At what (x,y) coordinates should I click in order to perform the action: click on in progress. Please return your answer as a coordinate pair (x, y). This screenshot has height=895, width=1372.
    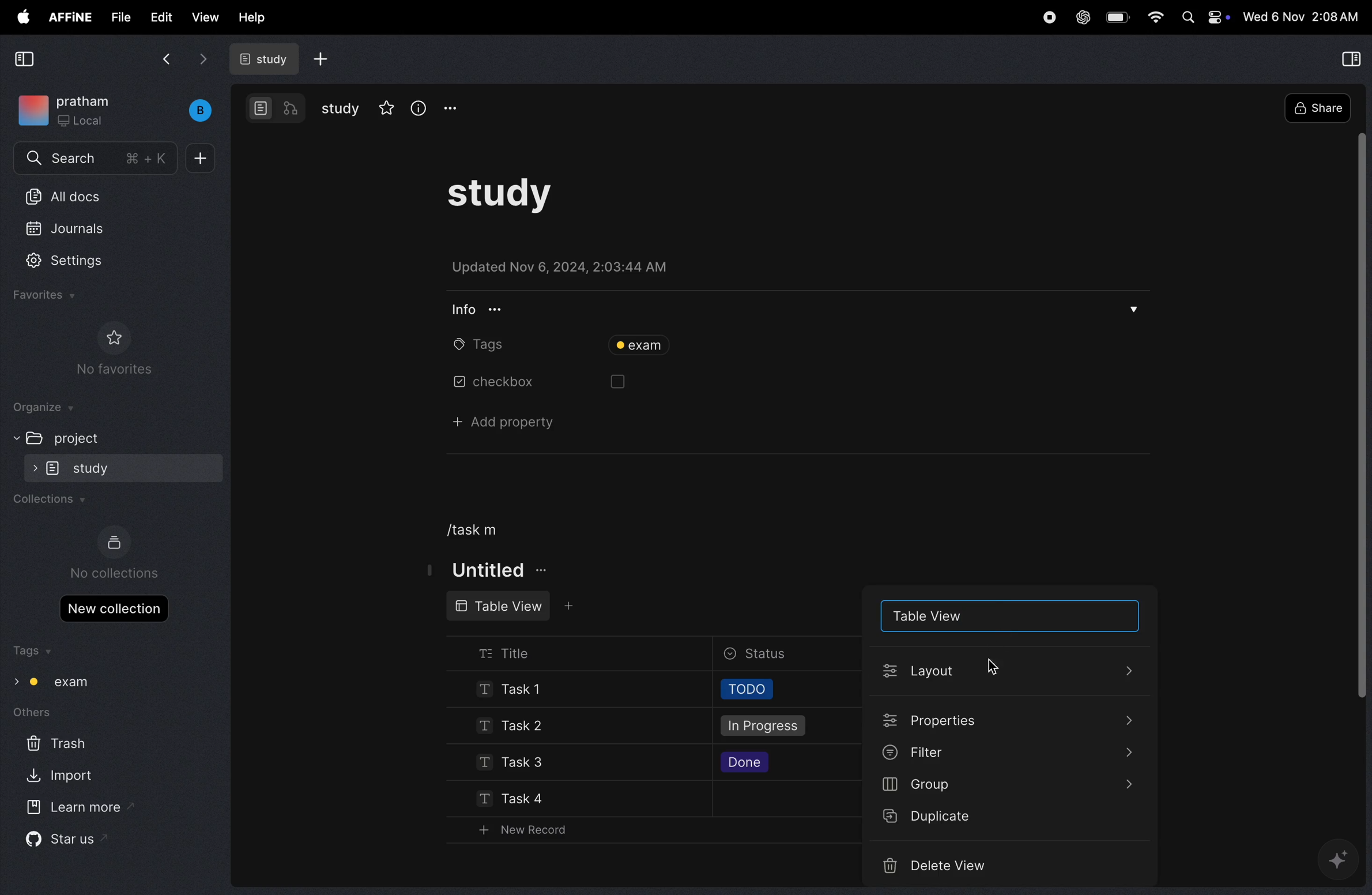
    Looking at the image, I should click on (760, 728).